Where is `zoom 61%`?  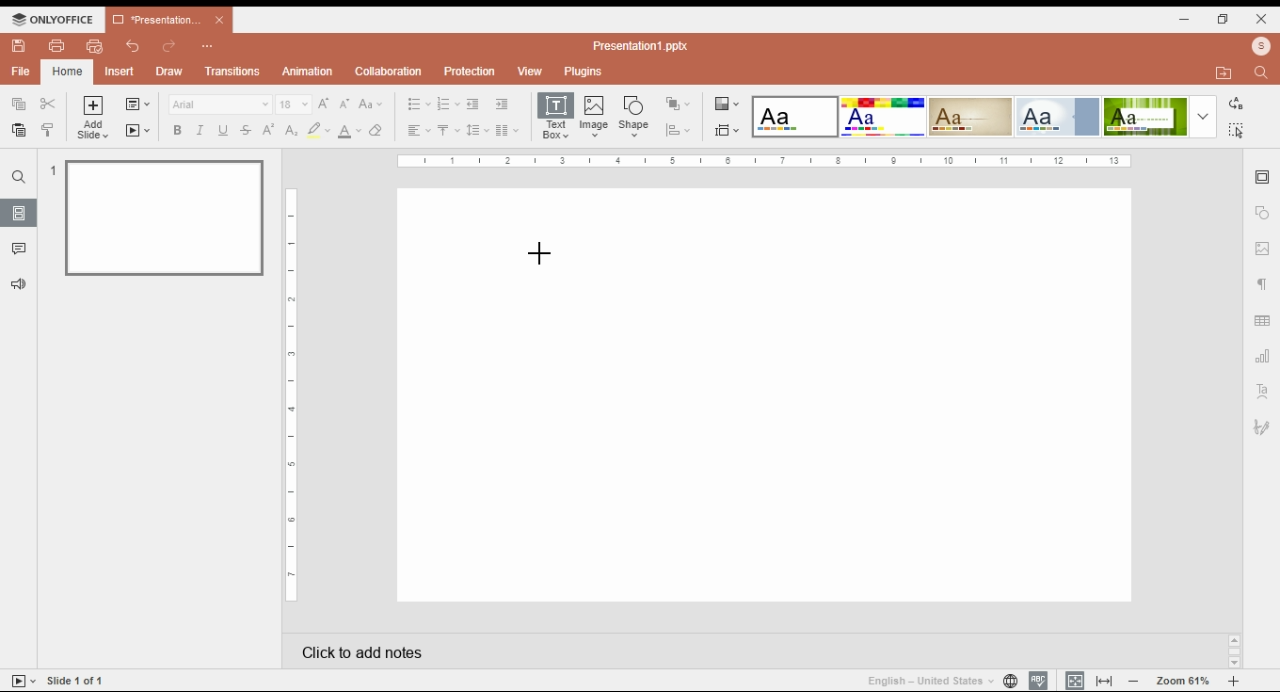 zoom 61% is located at coordinates (1181, 681).